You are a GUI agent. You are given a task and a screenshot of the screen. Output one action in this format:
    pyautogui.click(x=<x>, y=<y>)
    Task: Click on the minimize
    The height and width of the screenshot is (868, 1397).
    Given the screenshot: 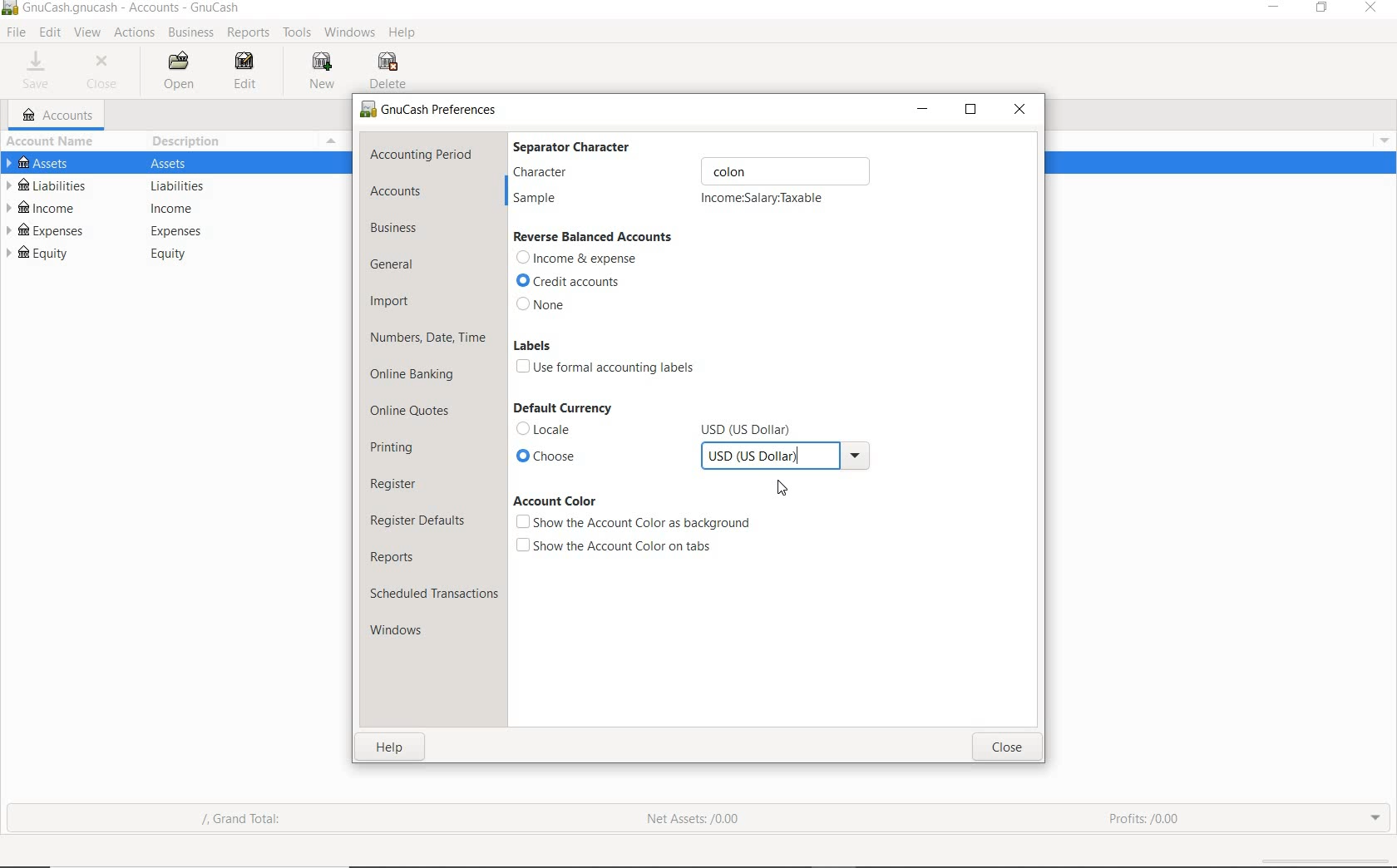 What is the action you would take?
    pyautogui.click(x=1271, y=8)
    